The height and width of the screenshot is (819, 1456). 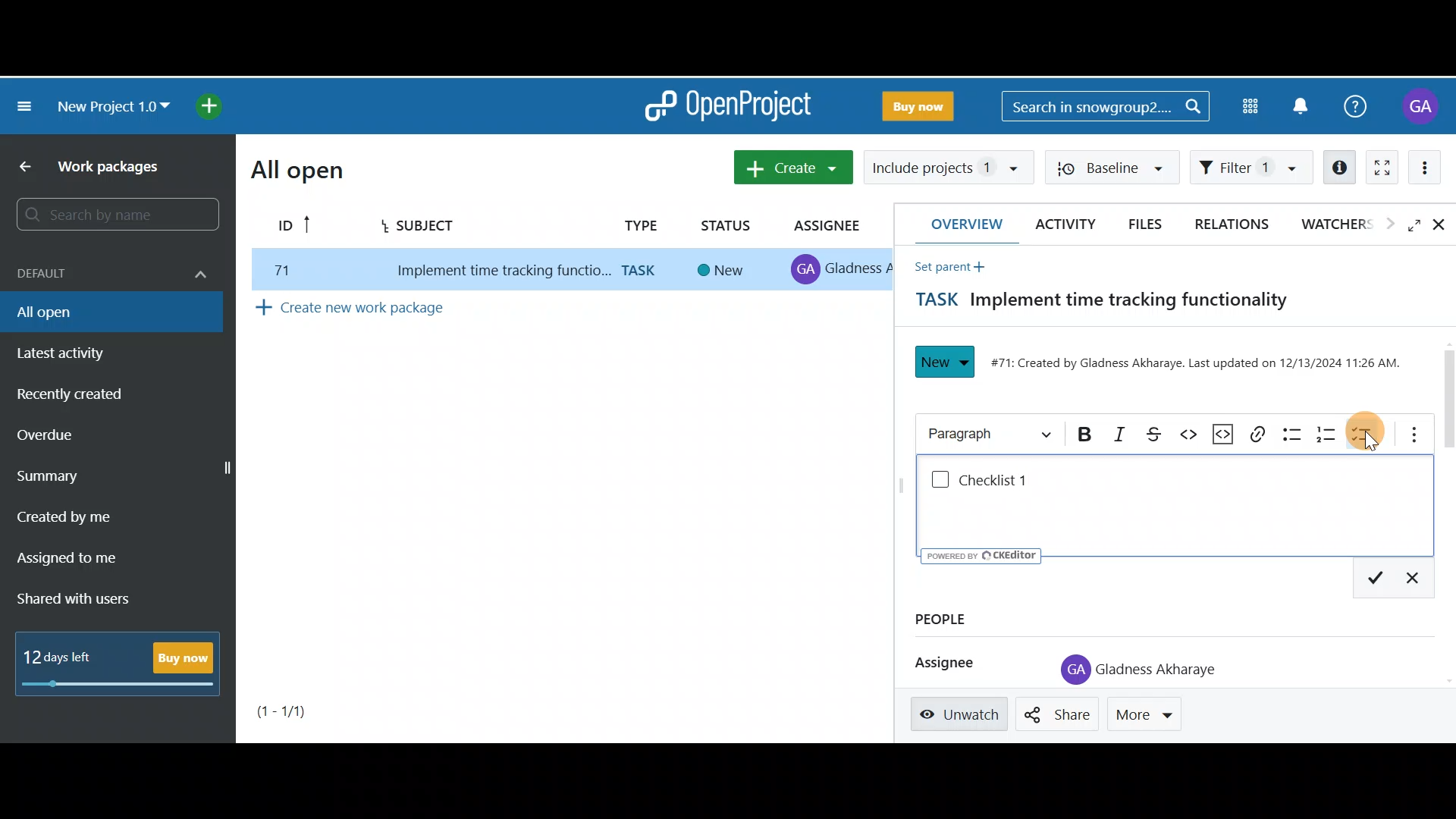 I want to click on Set parent, so click(x=945, y=266).